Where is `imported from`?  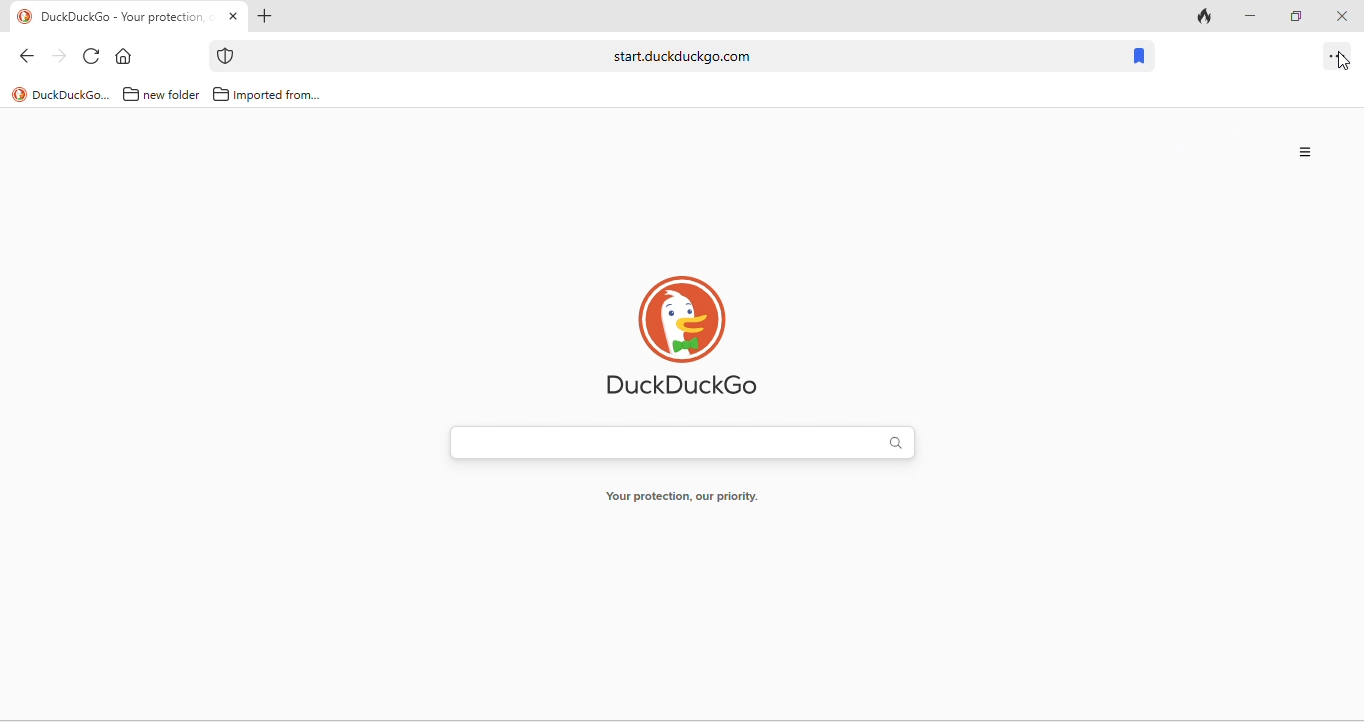 imported from is located at coordinates (279, 96).